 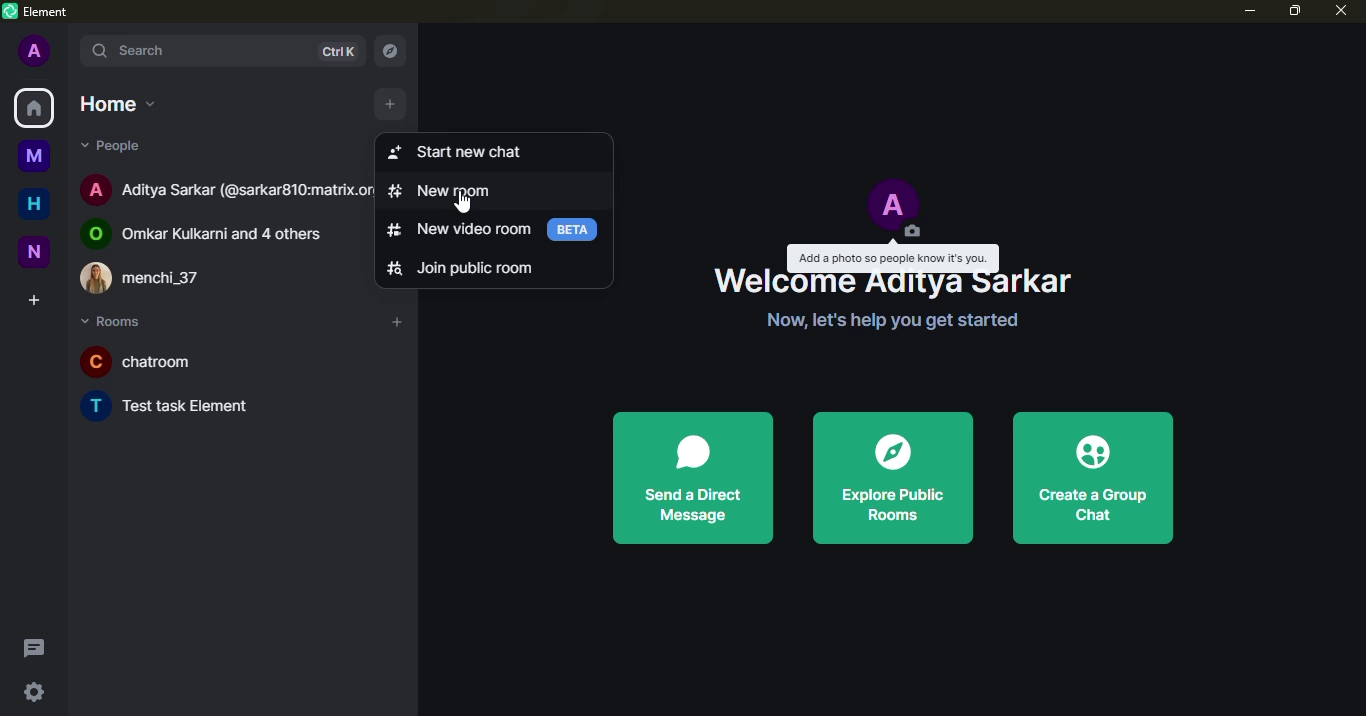 I want to click on profile pic, so click(x=893, y=207).